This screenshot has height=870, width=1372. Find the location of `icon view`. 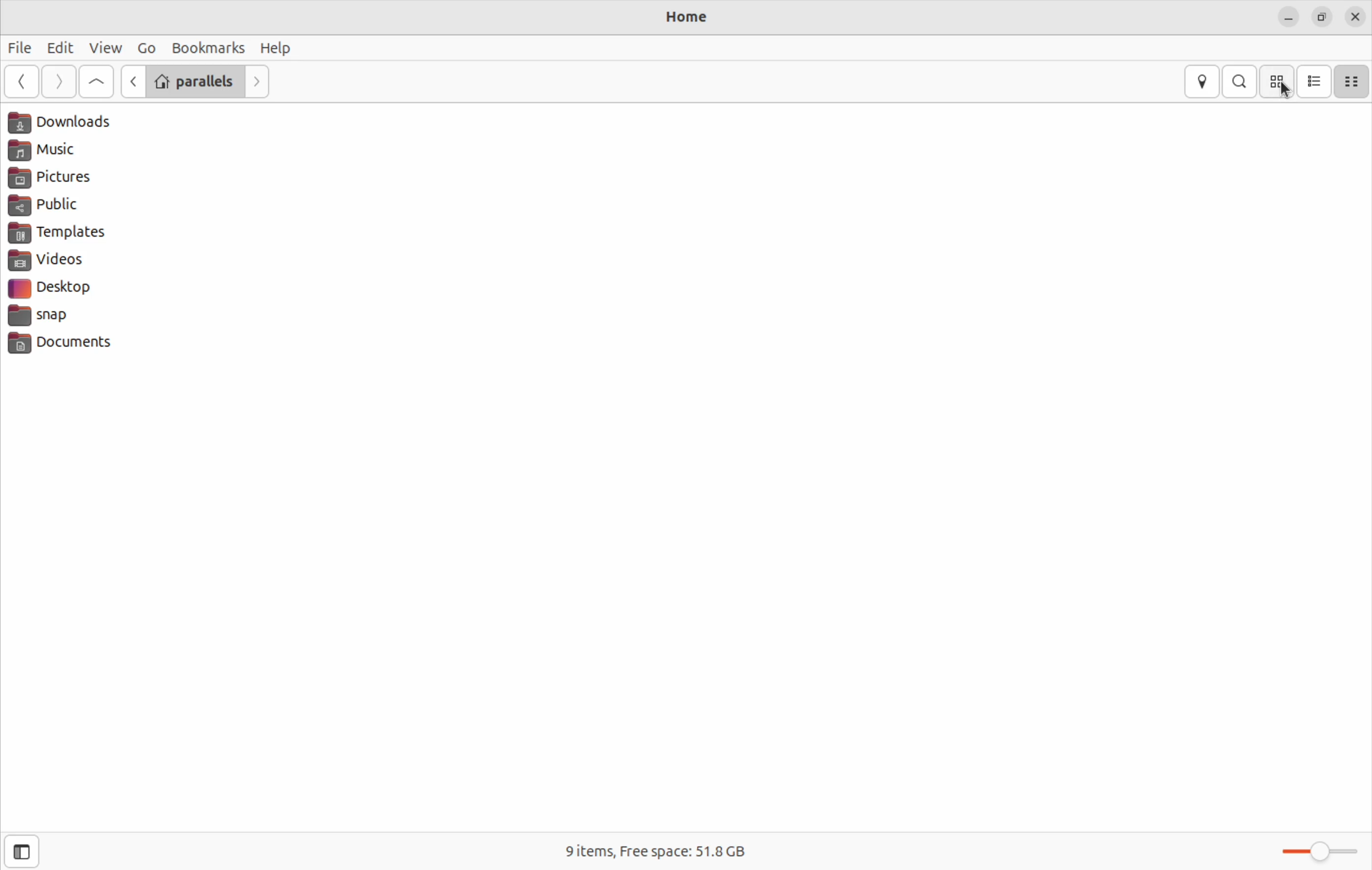

icon view is located at coordinates (1279, 81).